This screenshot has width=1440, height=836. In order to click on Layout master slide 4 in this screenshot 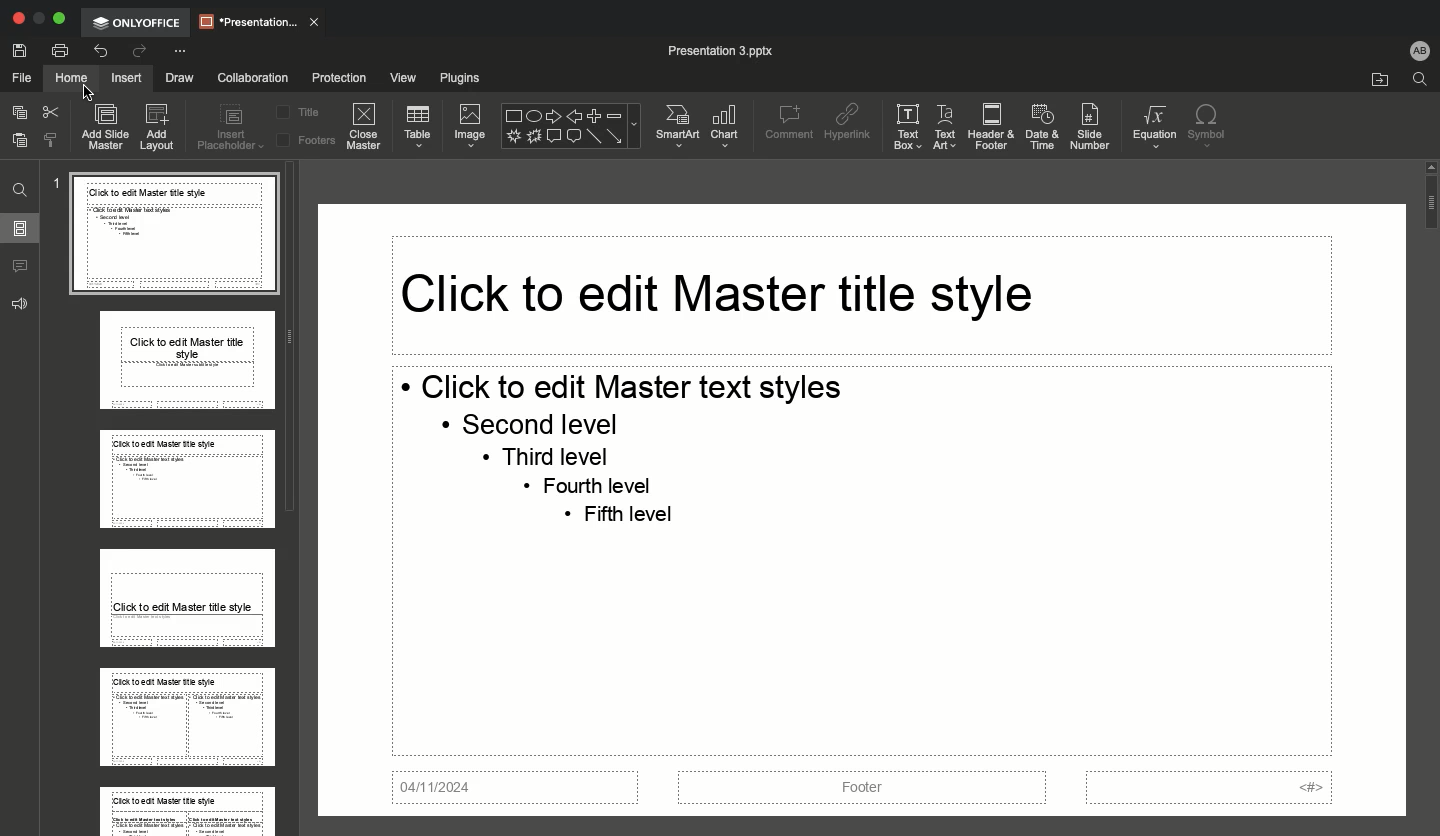, I will do `click(187, 597)`.